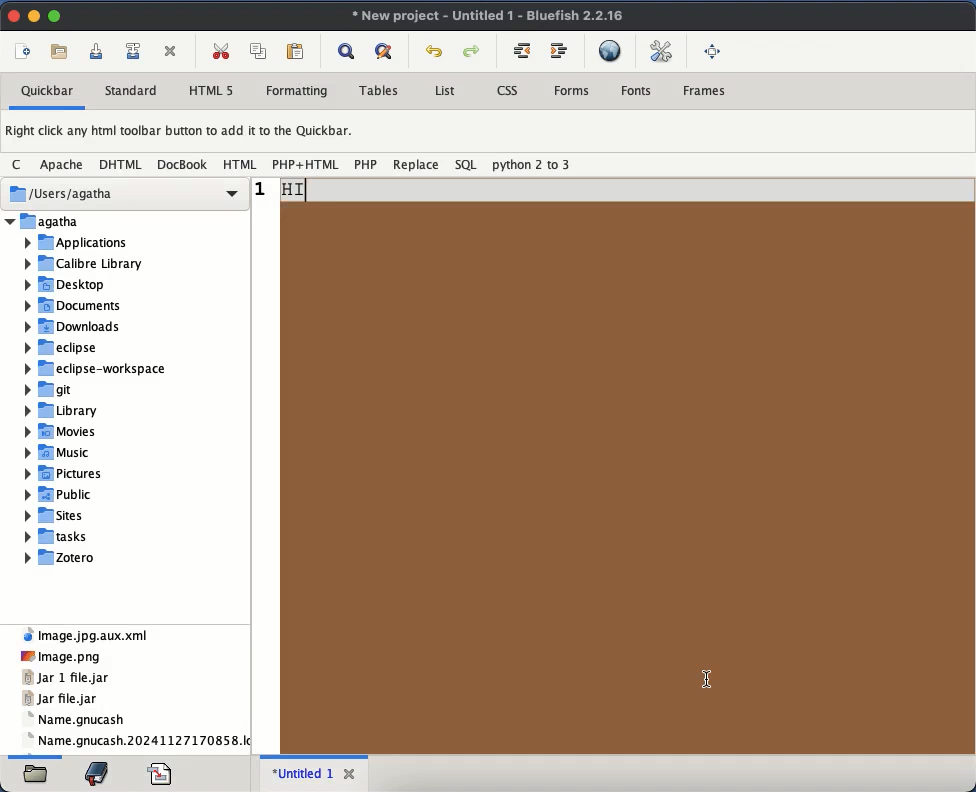  Describe the element at coordinates (60, 348) in the screenshot. I see `eclipse` at that location.